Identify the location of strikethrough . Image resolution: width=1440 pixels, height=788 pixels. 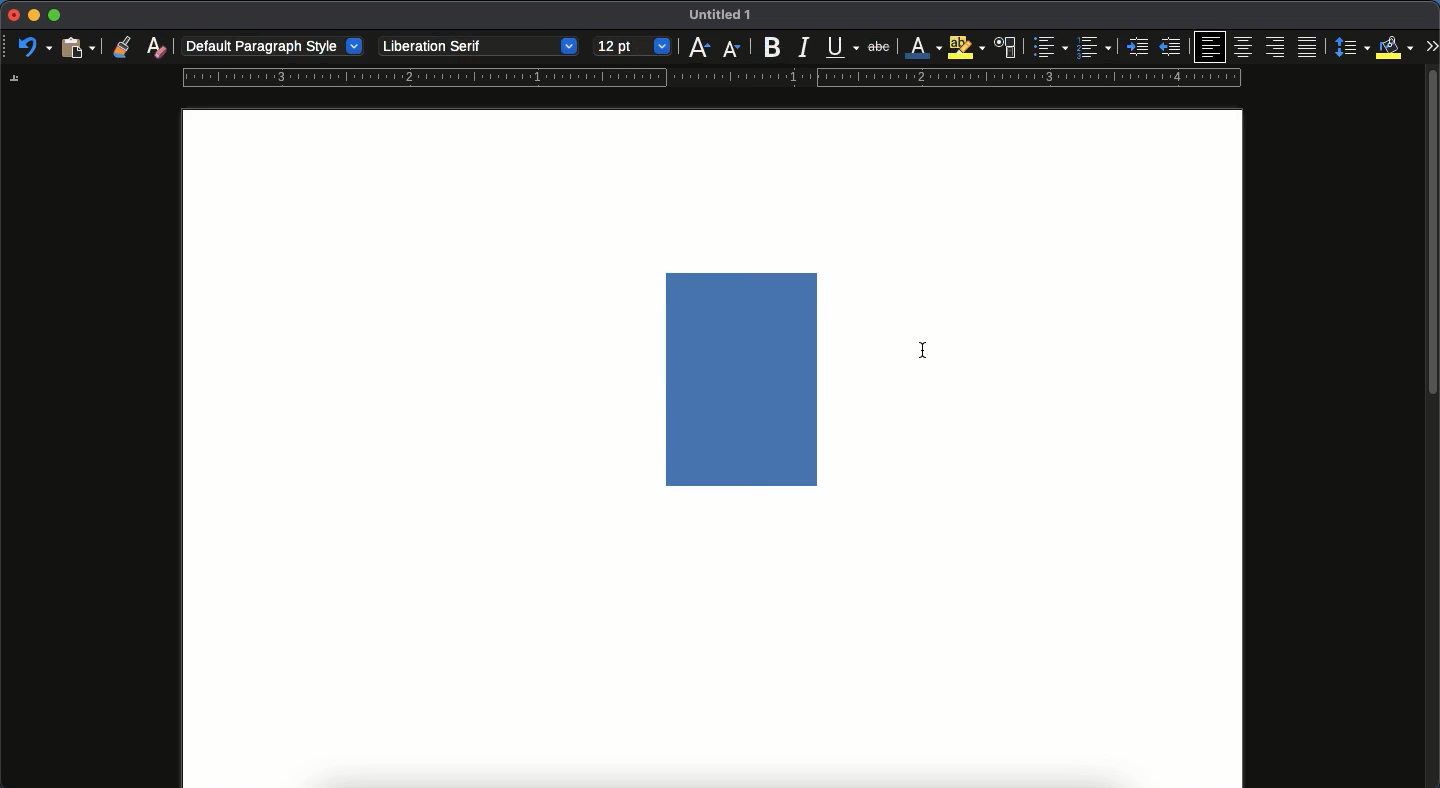
(879, 46).